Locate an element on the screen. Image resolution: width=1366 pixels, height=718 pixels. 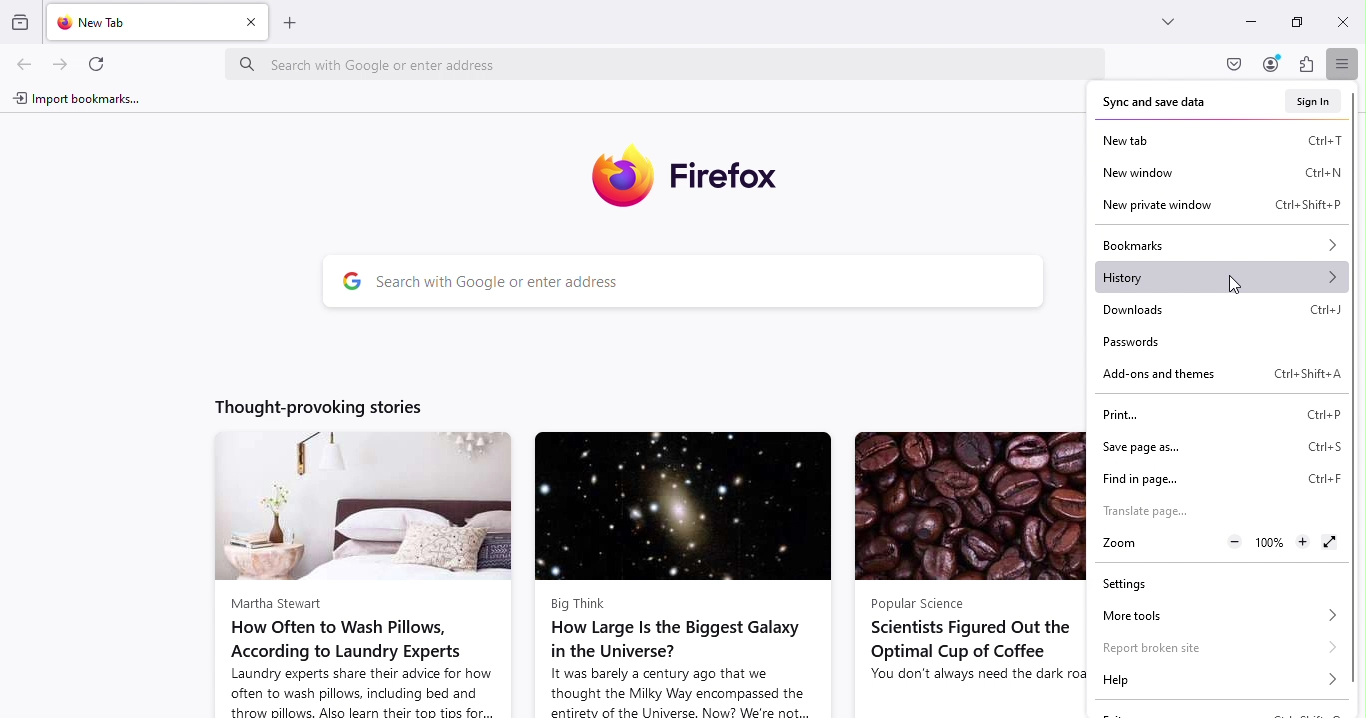
Zoom is located at coordinates (1155, 544).